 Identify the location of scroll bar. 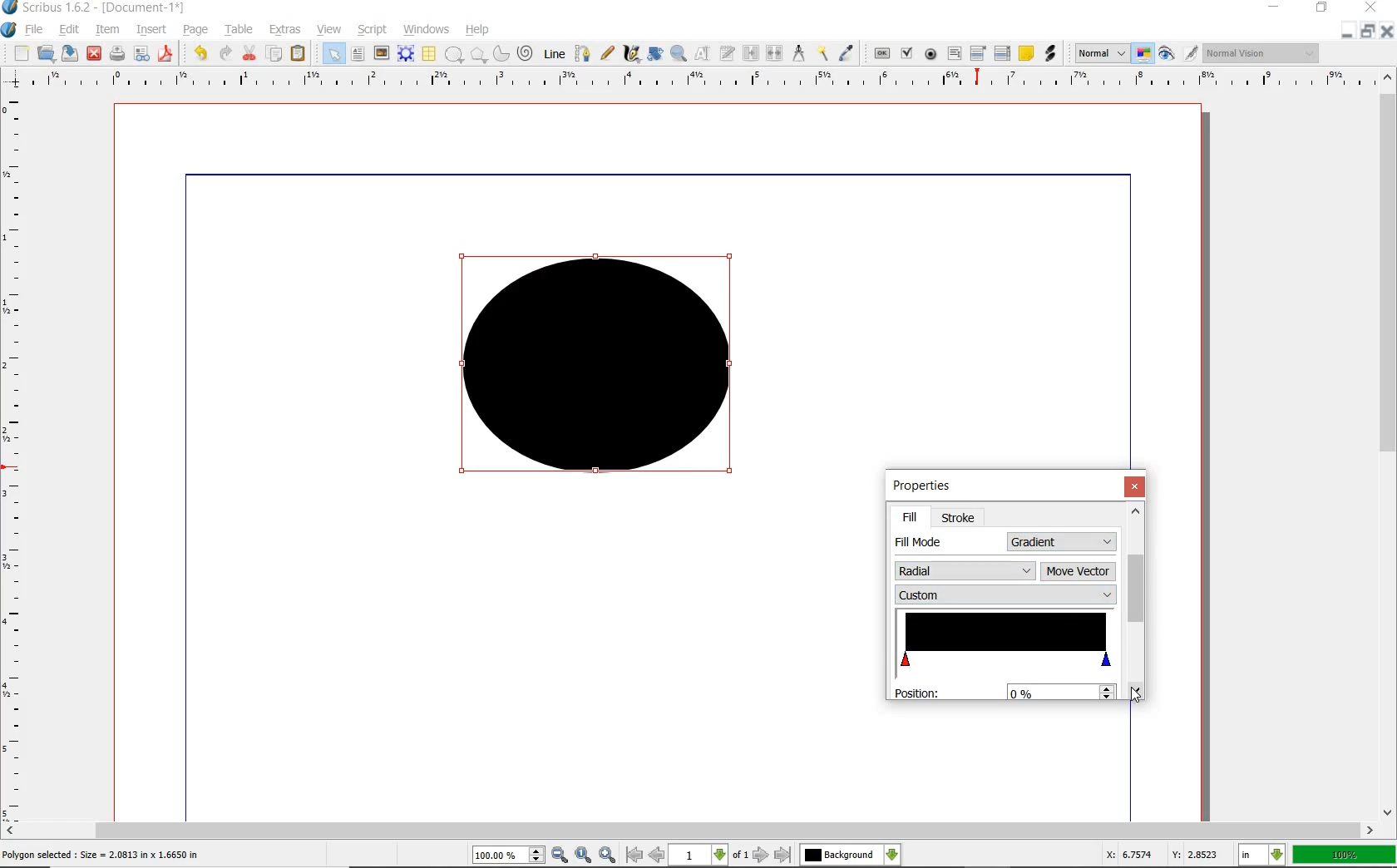
(1135, 589).